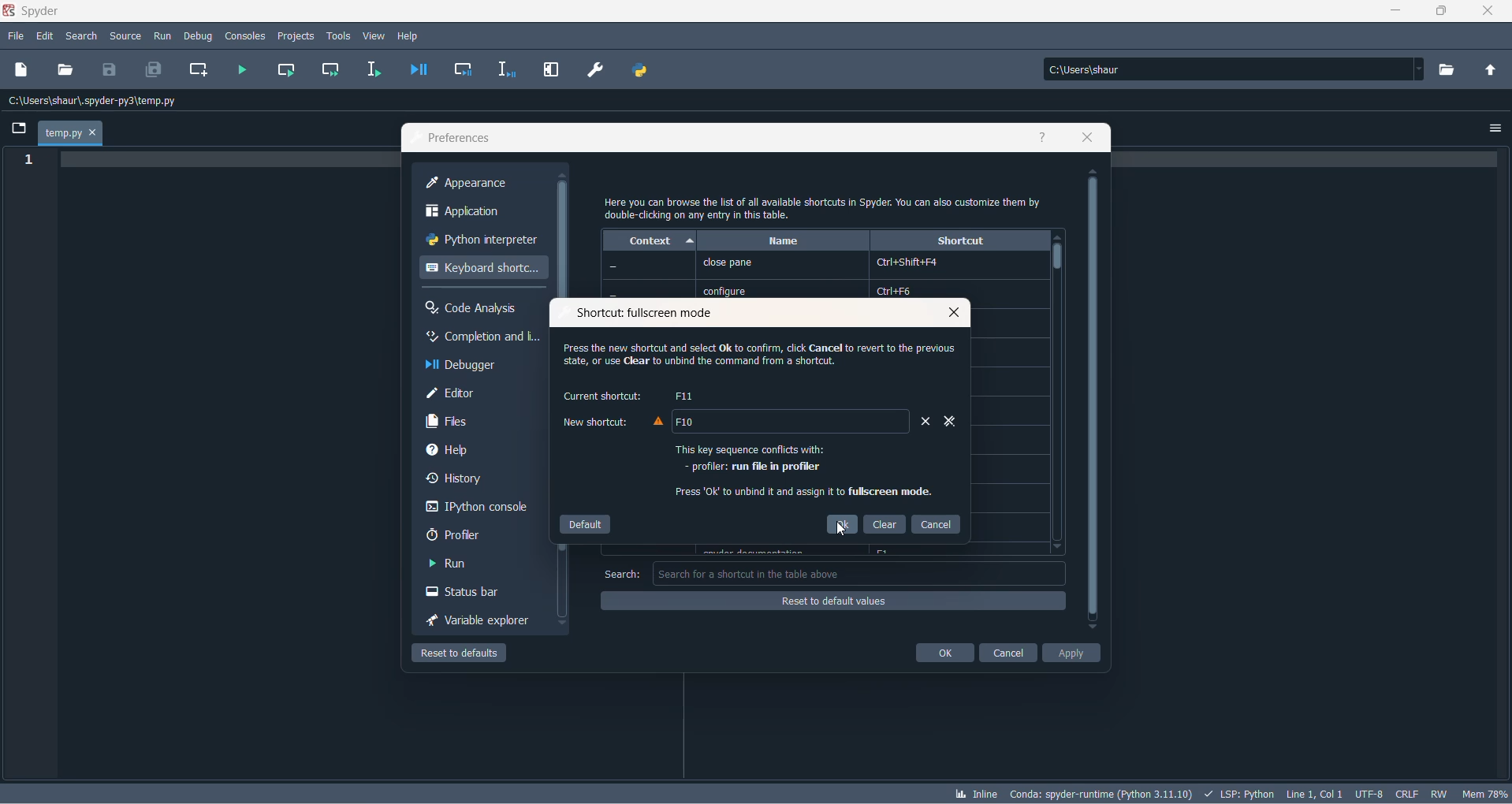  I want to click on projects, so click(296, 35).